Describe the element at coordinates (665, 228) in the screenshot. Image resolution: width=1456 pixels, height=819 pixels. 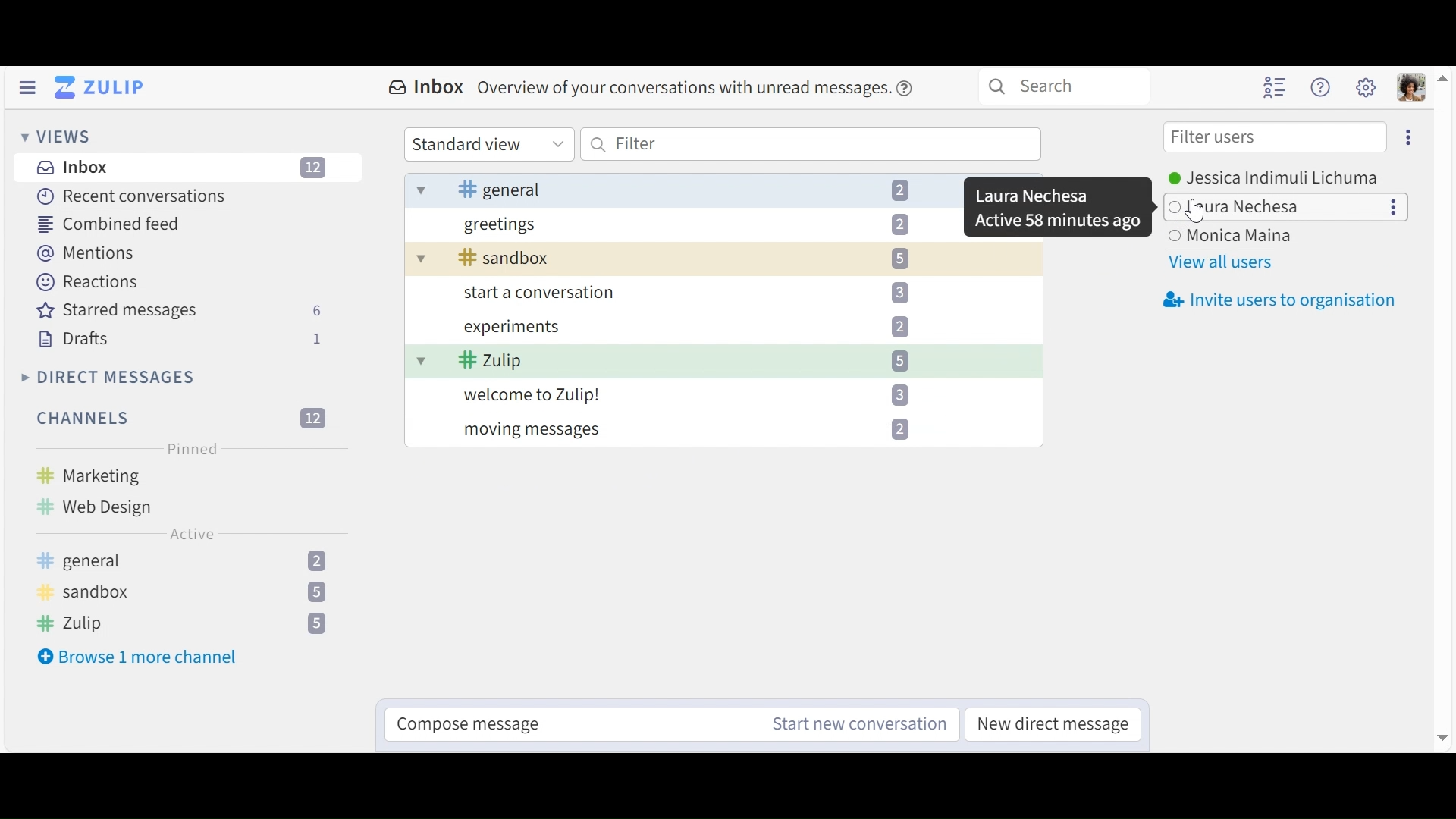
I see `greetings` at that location.